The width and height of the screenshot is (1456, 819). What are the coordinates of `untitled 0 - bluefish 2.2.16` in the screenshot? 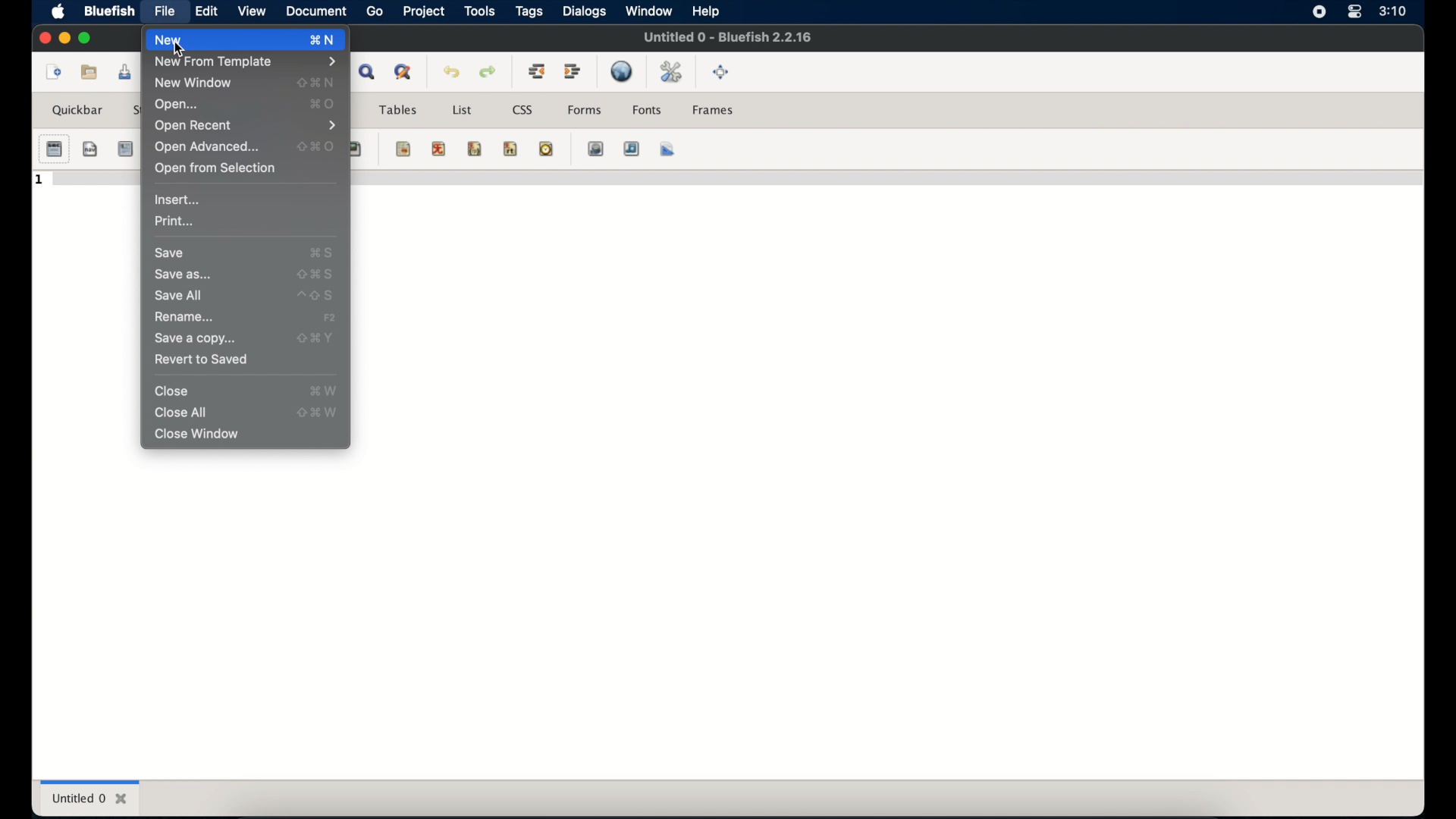 It's located at (727, 36).